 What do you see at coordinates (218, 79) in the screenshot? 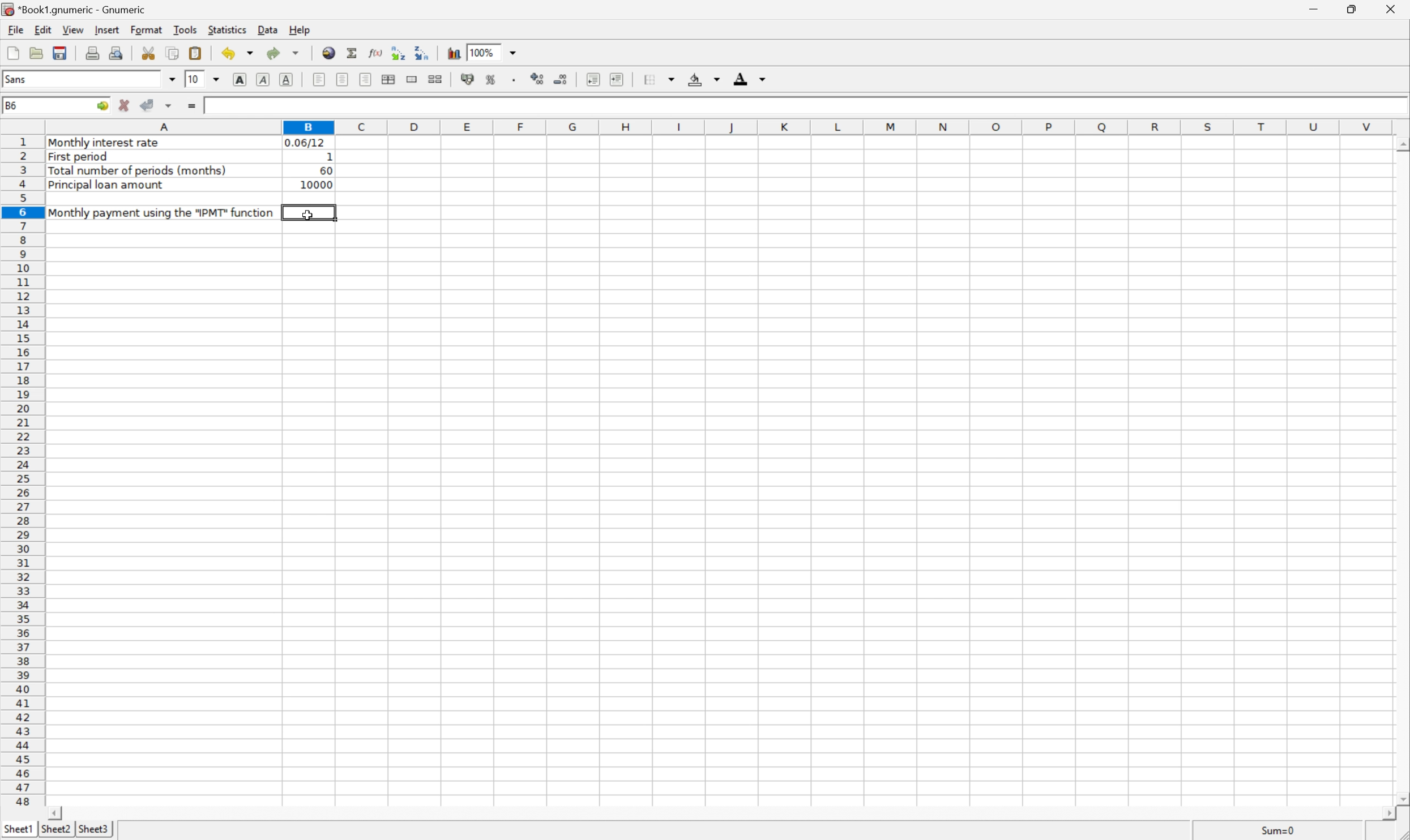
I see `Drop Down` at bounding box center [218, 79].